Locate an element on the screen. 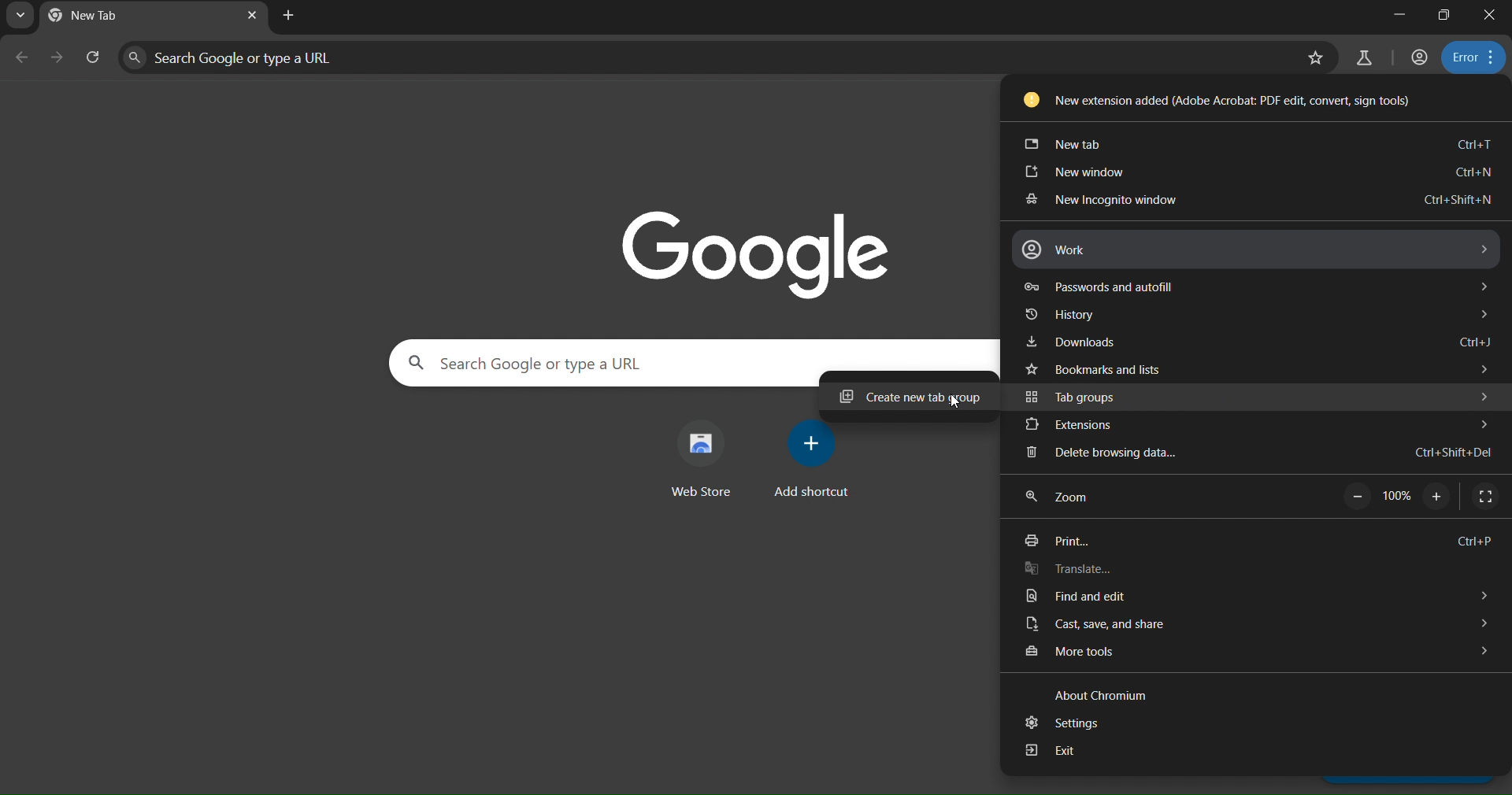 This screenshot has width=1512, height=795. exit is located at coordinates (1254, 753).